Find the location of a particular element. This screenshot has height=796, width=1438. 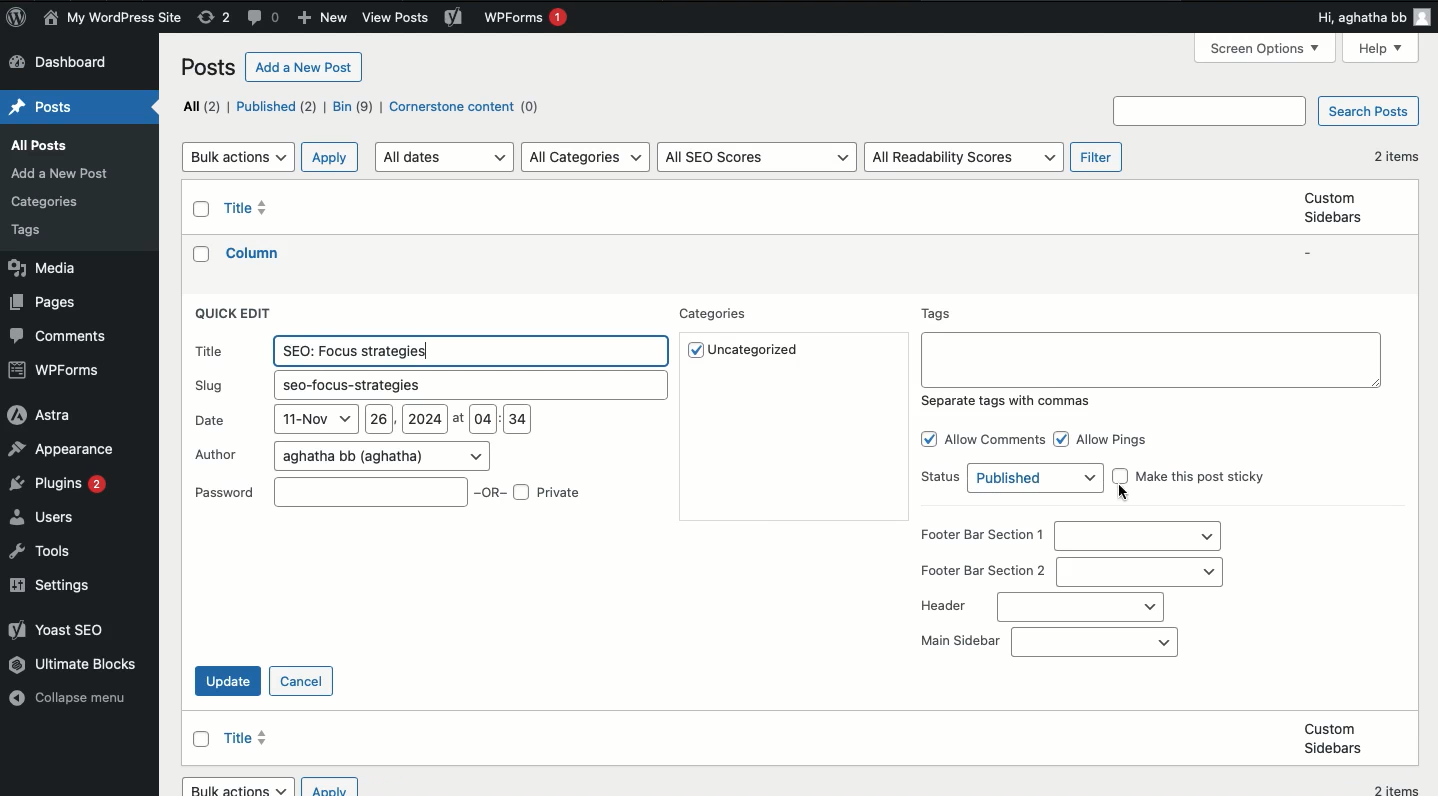

Pages is located at coordinates (43, 303).